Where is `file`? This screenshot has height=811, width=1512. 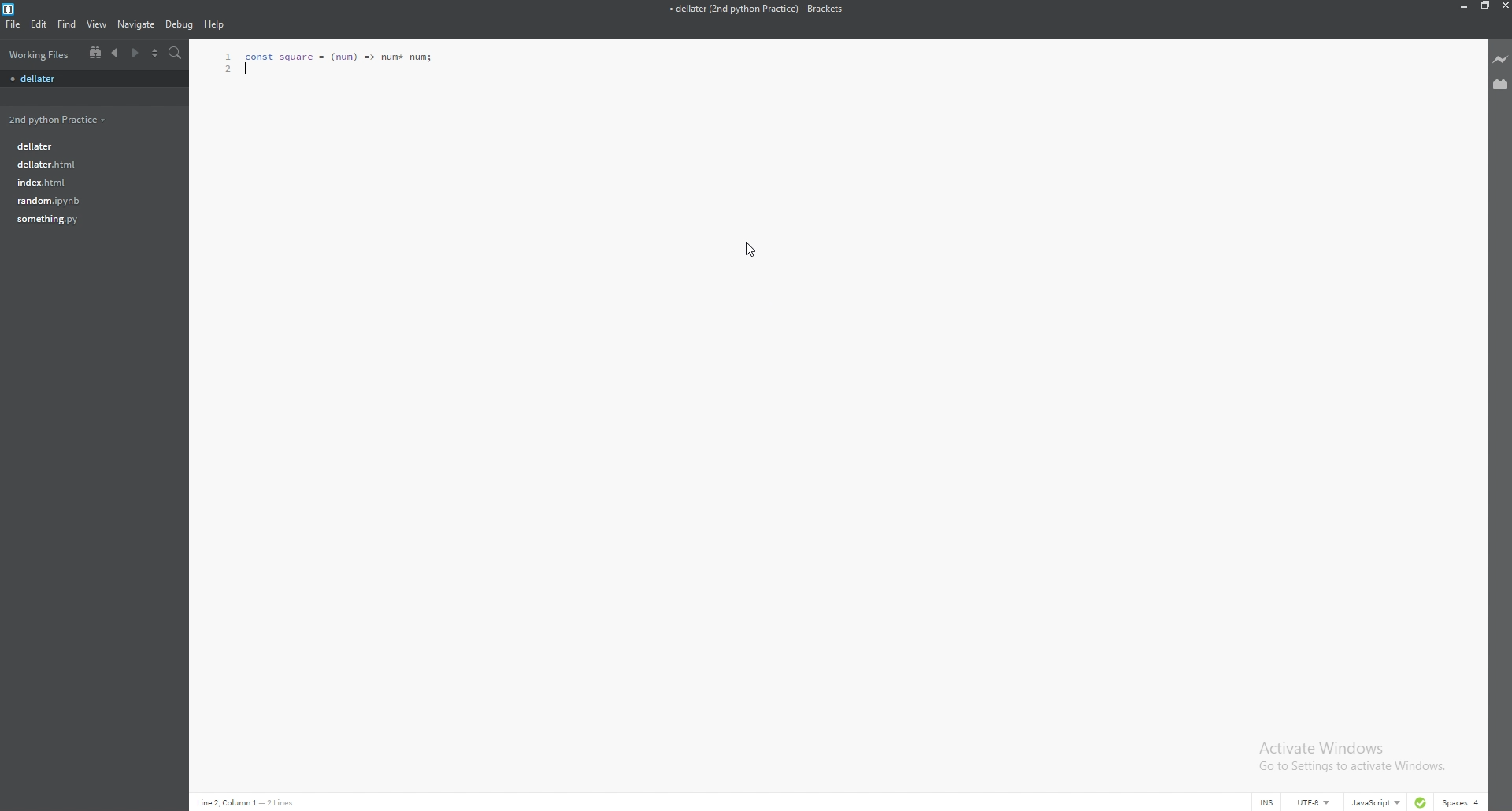
file is located at coordinates (88, 219).